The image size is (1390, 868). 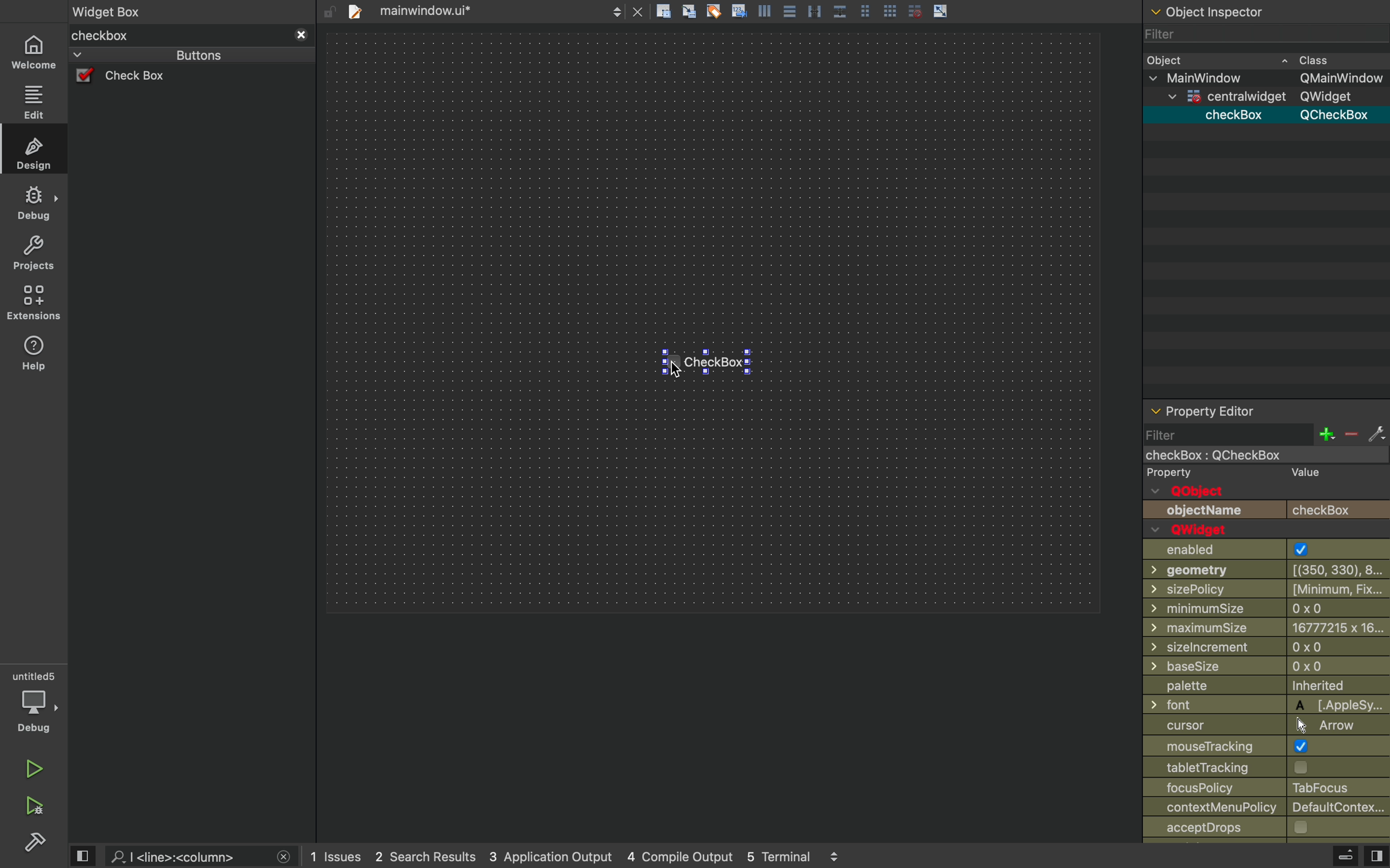 I want to click on objectname, so click(x=1266, y=510).